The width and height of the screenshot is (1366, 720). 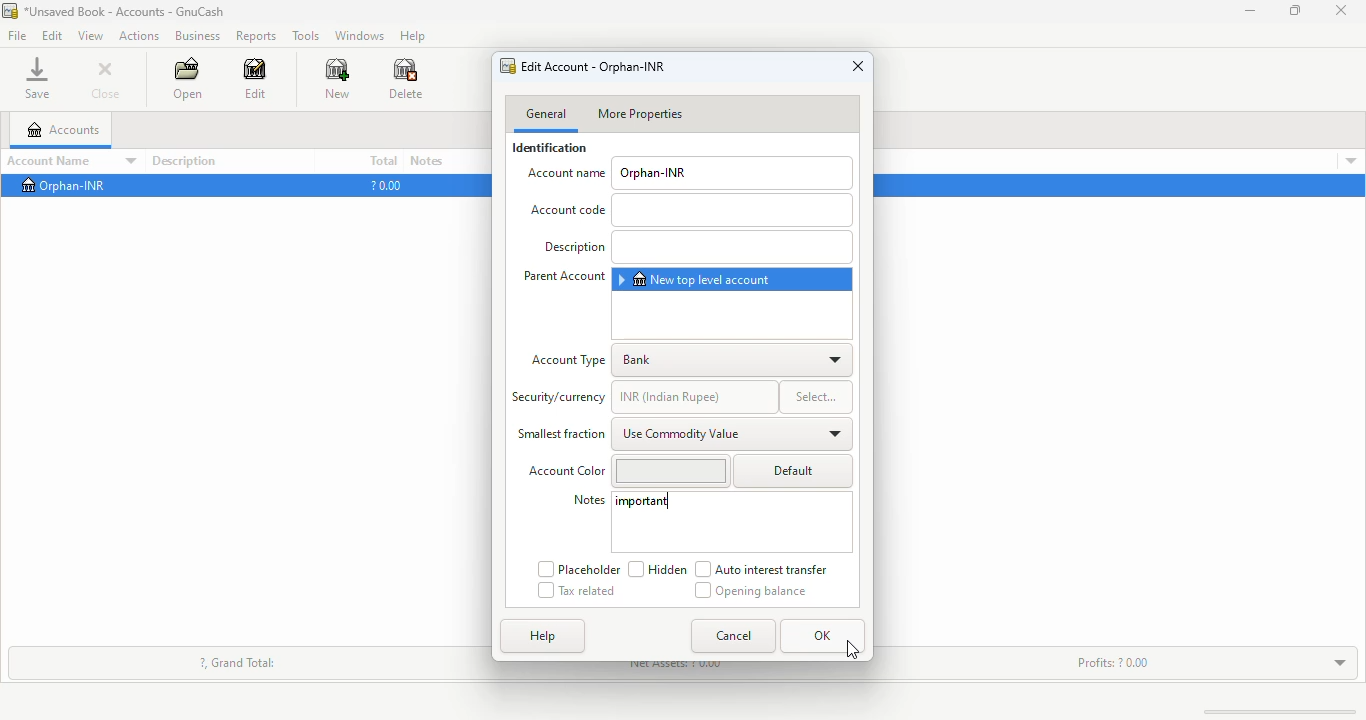 I want to click on accounts, so click(x=62, y=130).